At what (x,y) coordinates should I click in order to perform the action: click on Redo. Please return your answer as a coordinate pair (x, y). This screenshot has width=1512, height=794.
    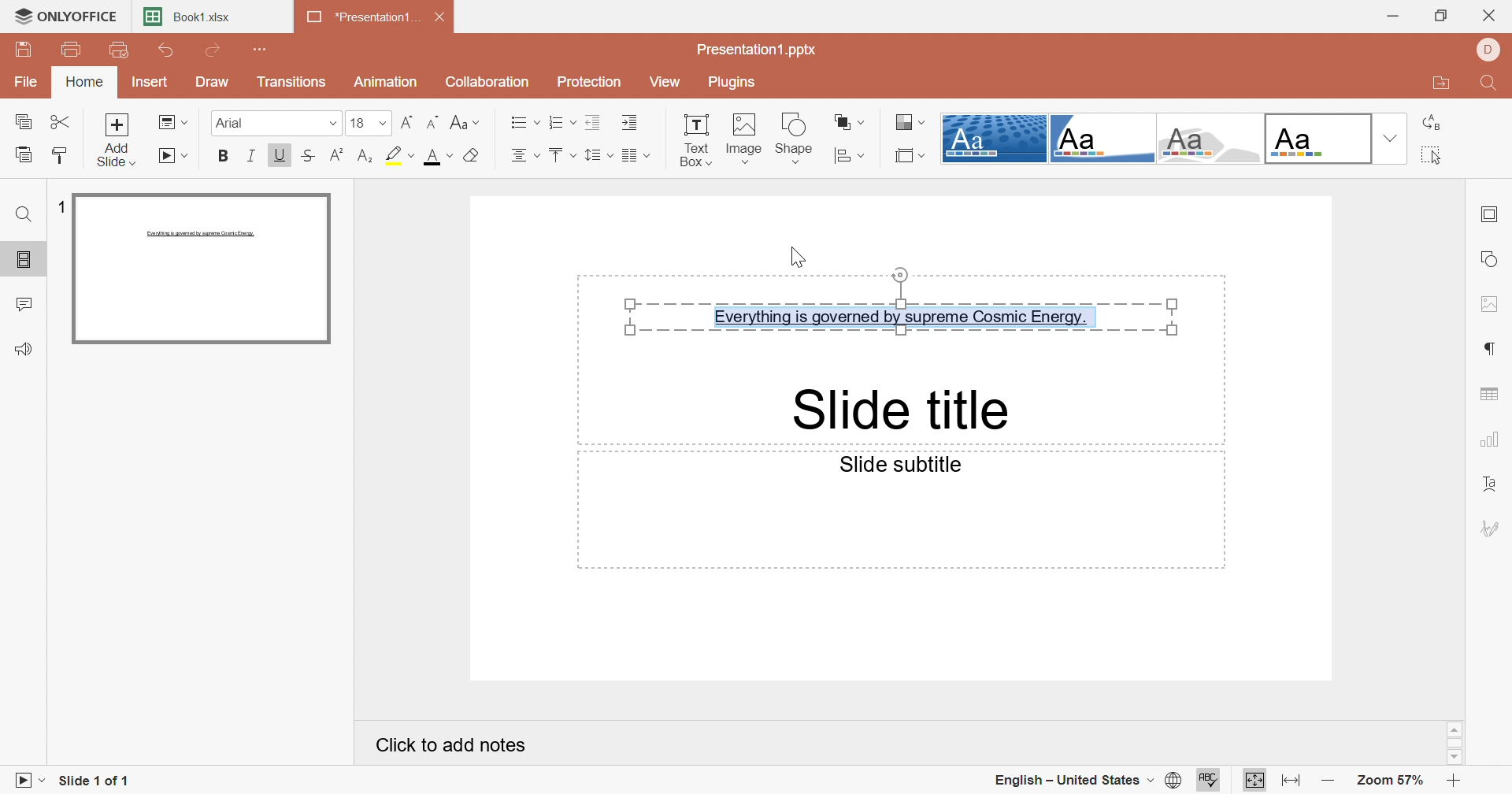
    Looking at the image, I should click on (212, 51).